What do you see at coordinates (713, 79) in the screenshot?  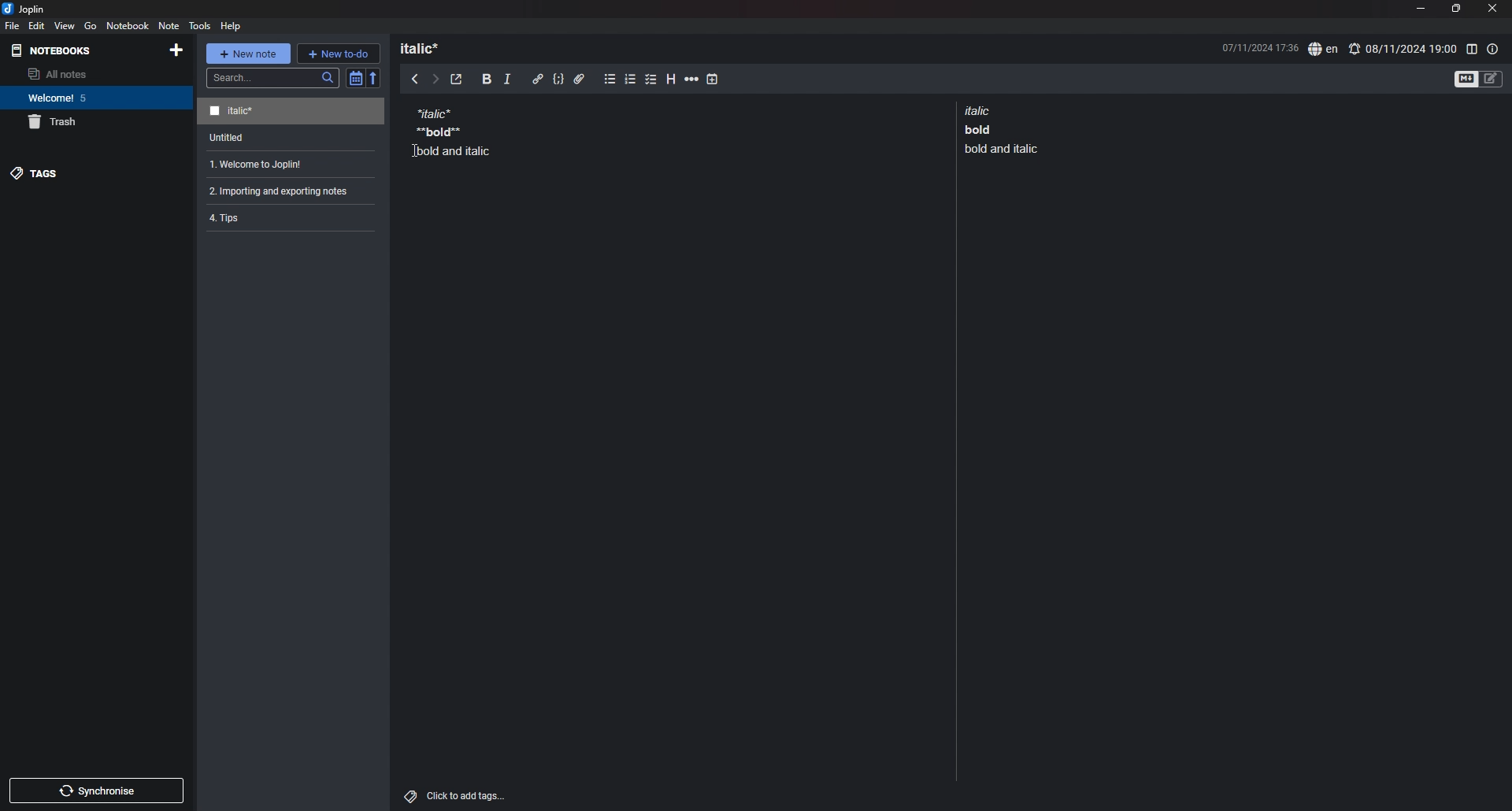 I see `add time` at bounding box center [713, 79].